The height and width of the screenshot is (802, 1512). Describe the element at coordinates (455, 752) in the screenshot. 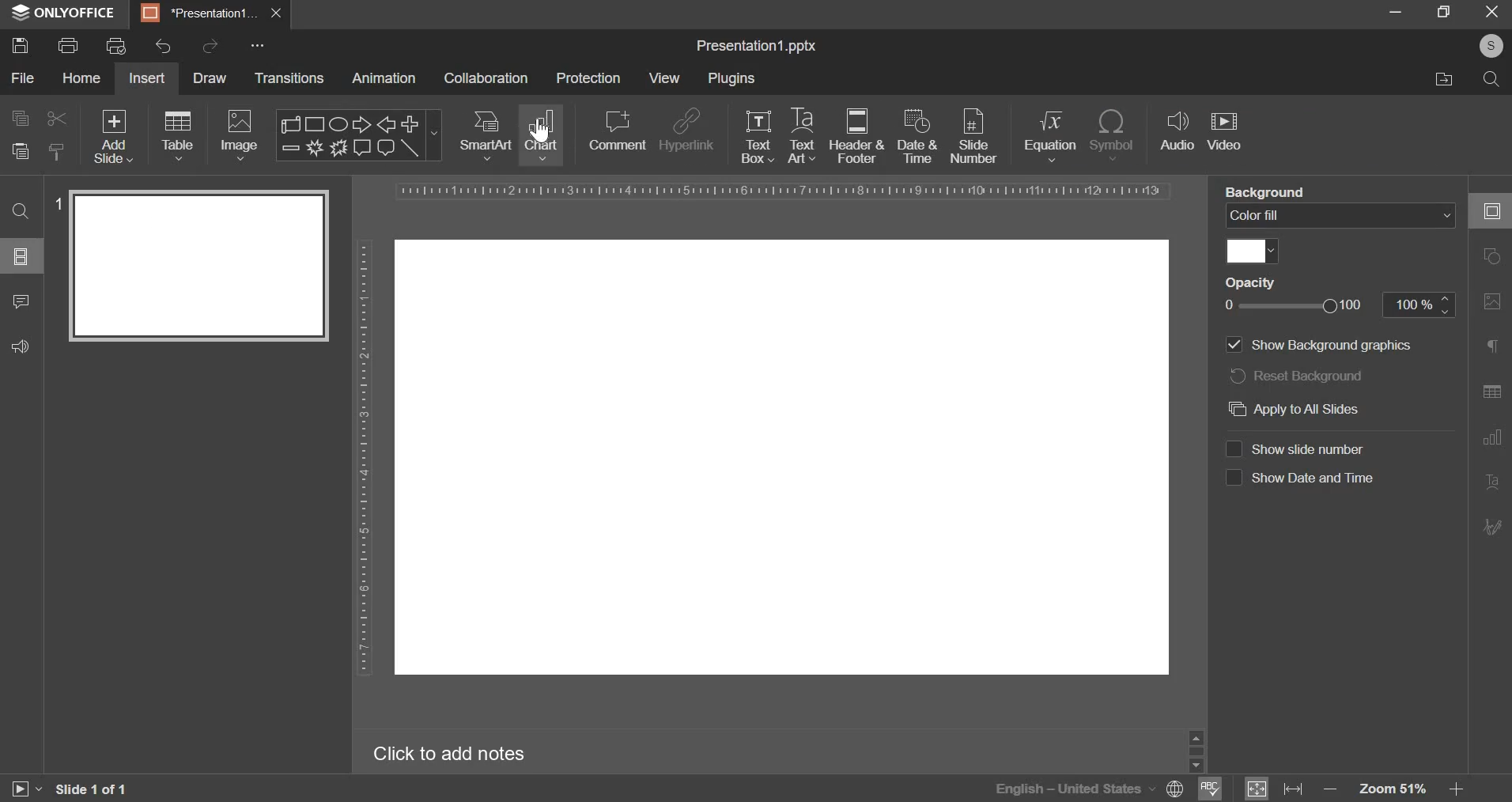

I see `click to add notes` at that location.